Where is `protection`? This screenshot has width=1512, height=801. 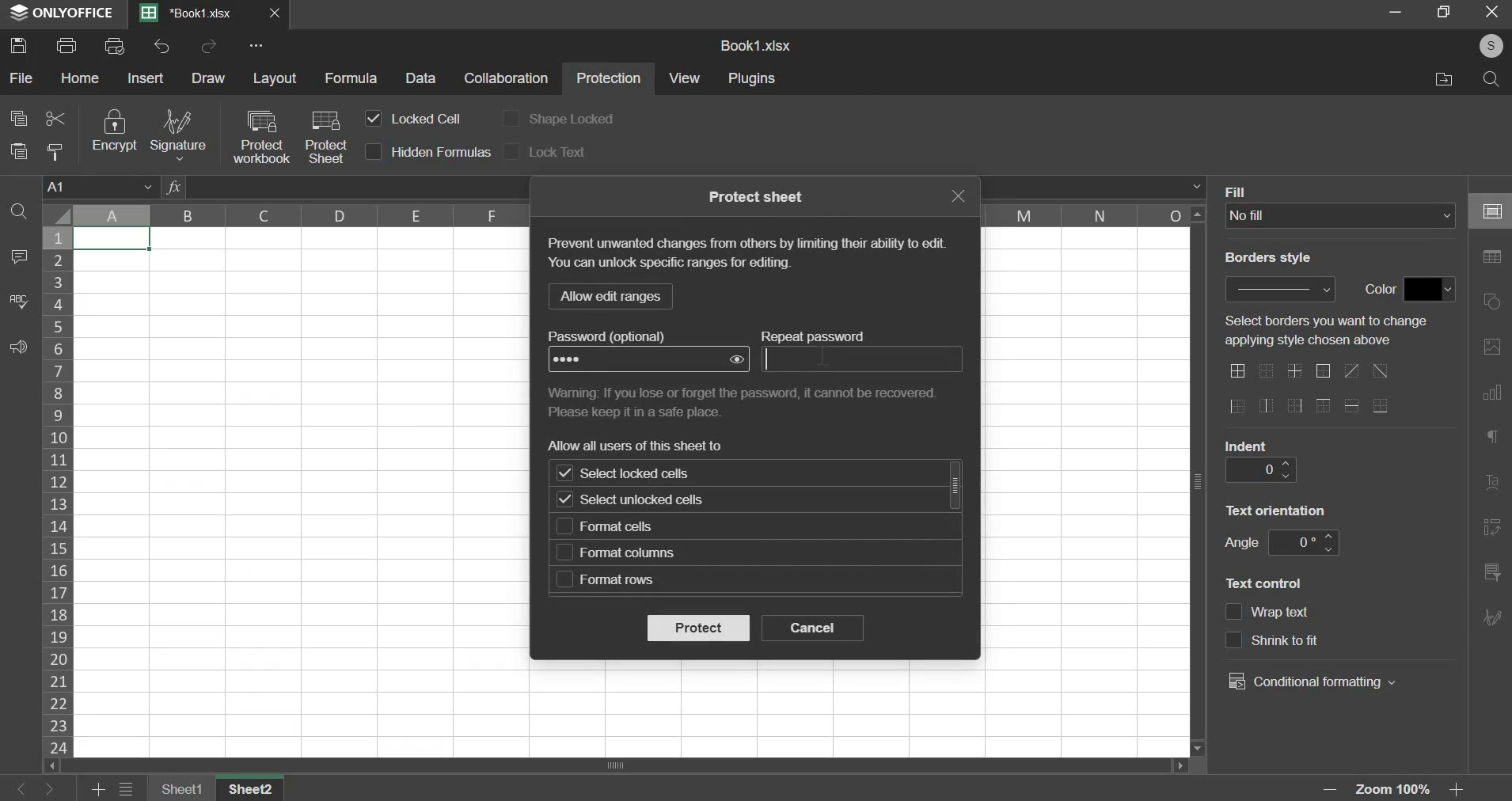
protection is located at coordinates (609, 80).